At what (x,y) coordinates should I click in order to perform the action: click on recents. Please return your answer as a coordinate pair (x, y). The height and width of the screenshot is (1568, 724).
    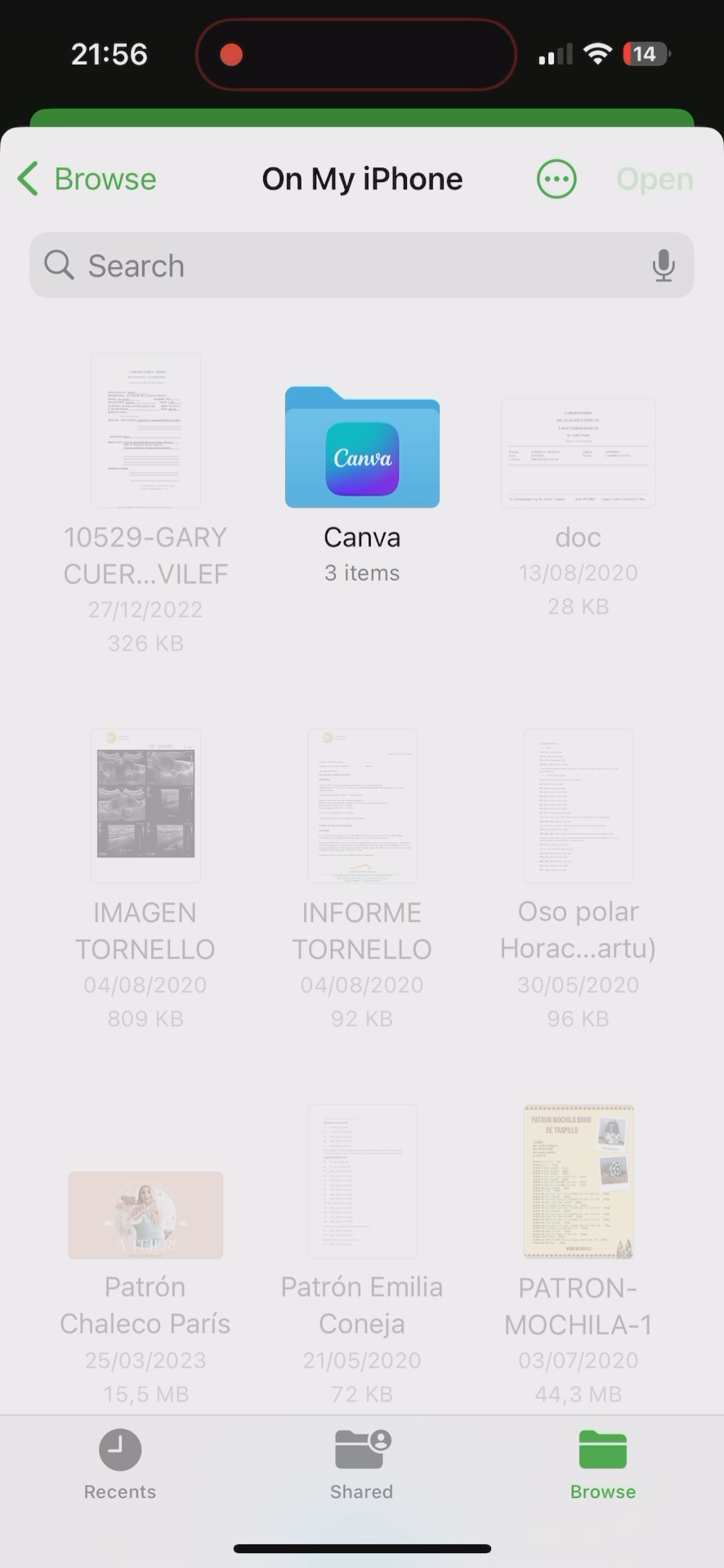
    Looking at the image, I should click on (120, 1468).